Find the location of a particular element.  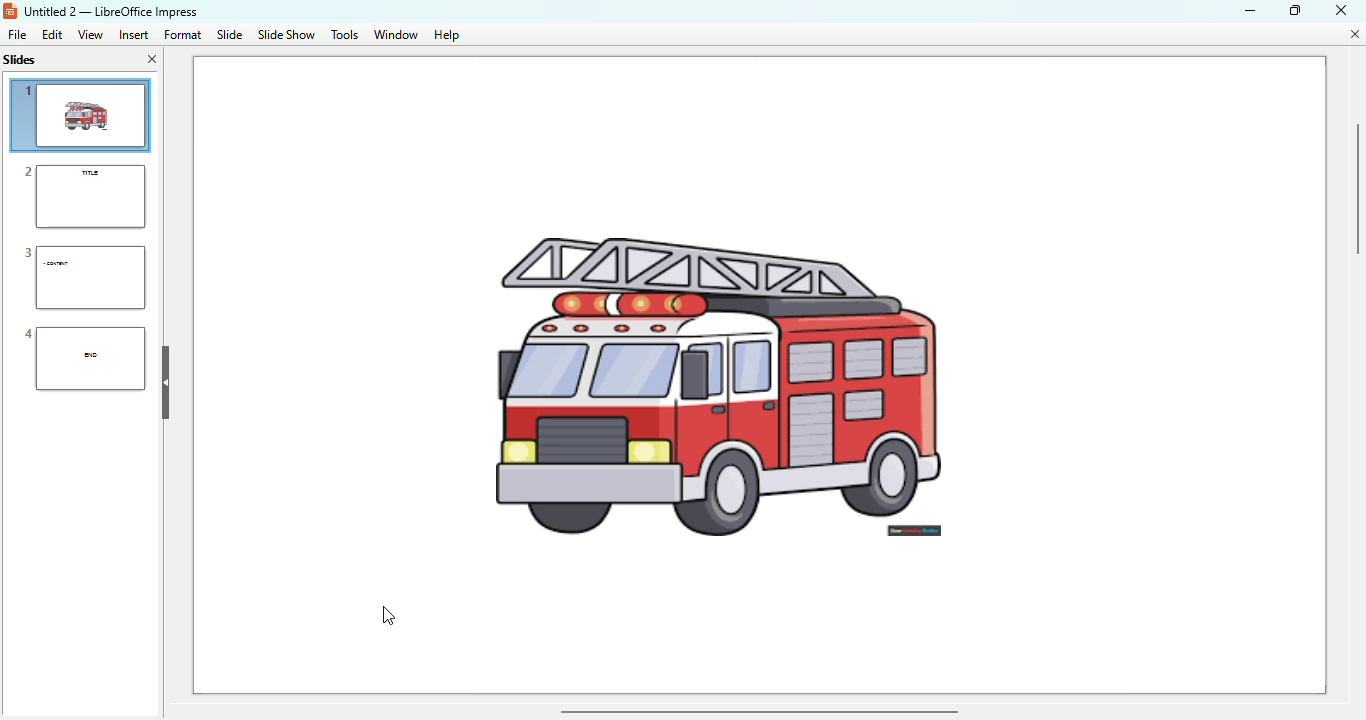

image is located at coordinates (772, 328).